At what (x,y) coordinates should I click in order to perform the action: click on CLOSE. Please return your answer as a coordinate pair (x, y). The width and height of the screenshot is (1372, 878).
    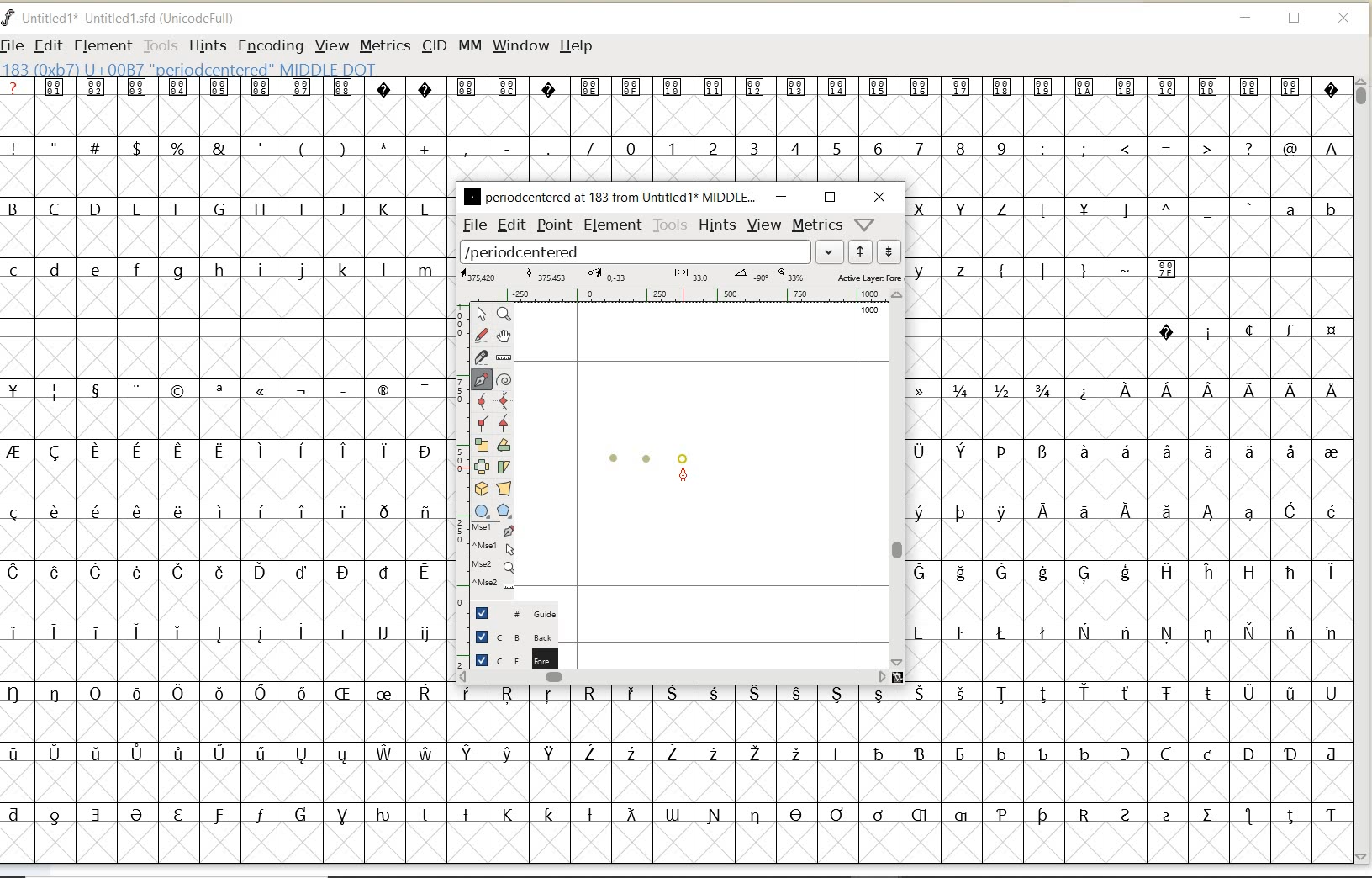
    Looking at the image, I should click on (1345, 19).